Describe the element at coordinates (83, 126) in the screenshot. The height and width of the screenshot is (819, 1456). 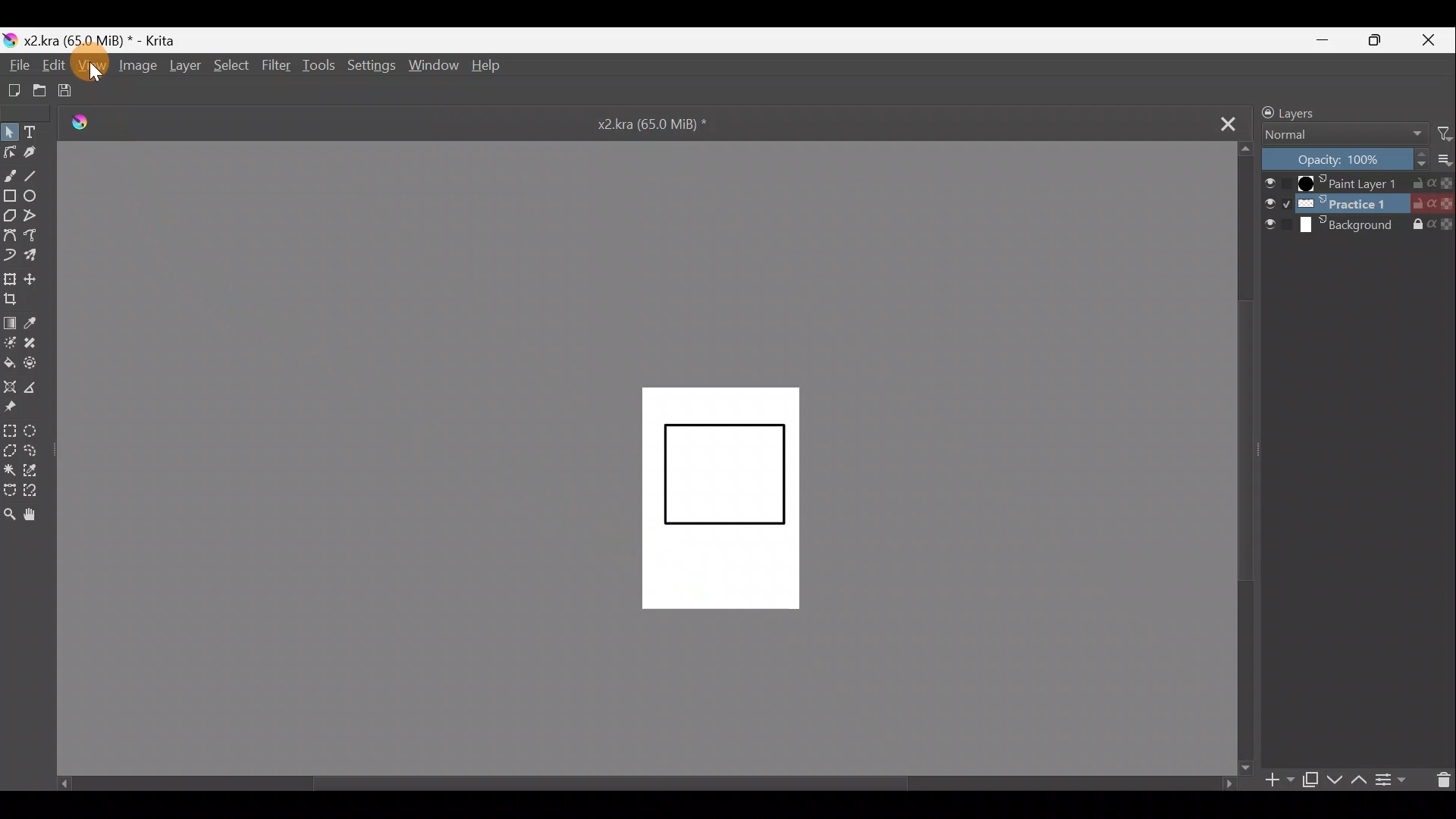
I see `Logo` at that location.